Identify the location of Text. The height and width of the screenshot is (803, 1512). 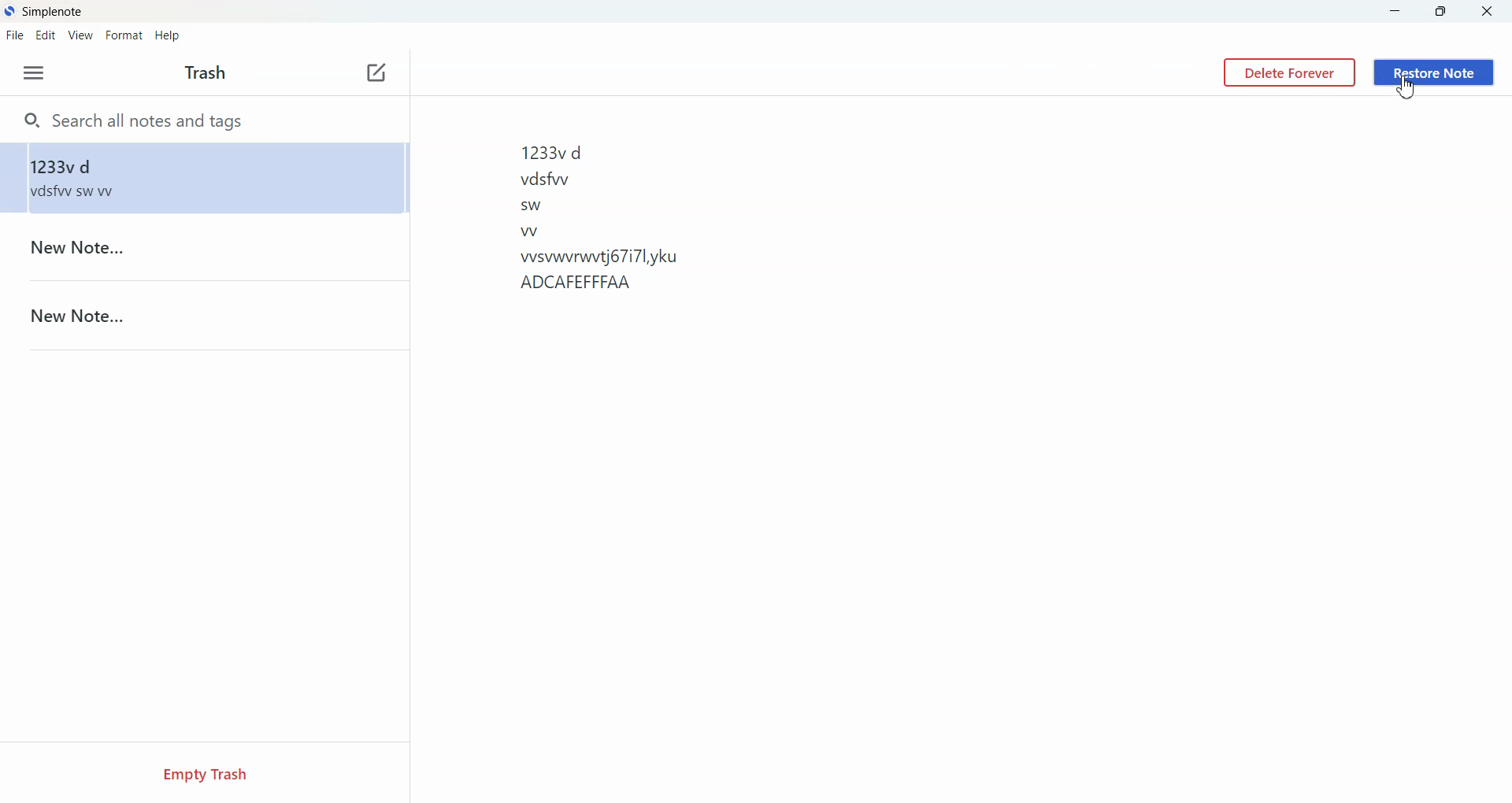
(206, 74).